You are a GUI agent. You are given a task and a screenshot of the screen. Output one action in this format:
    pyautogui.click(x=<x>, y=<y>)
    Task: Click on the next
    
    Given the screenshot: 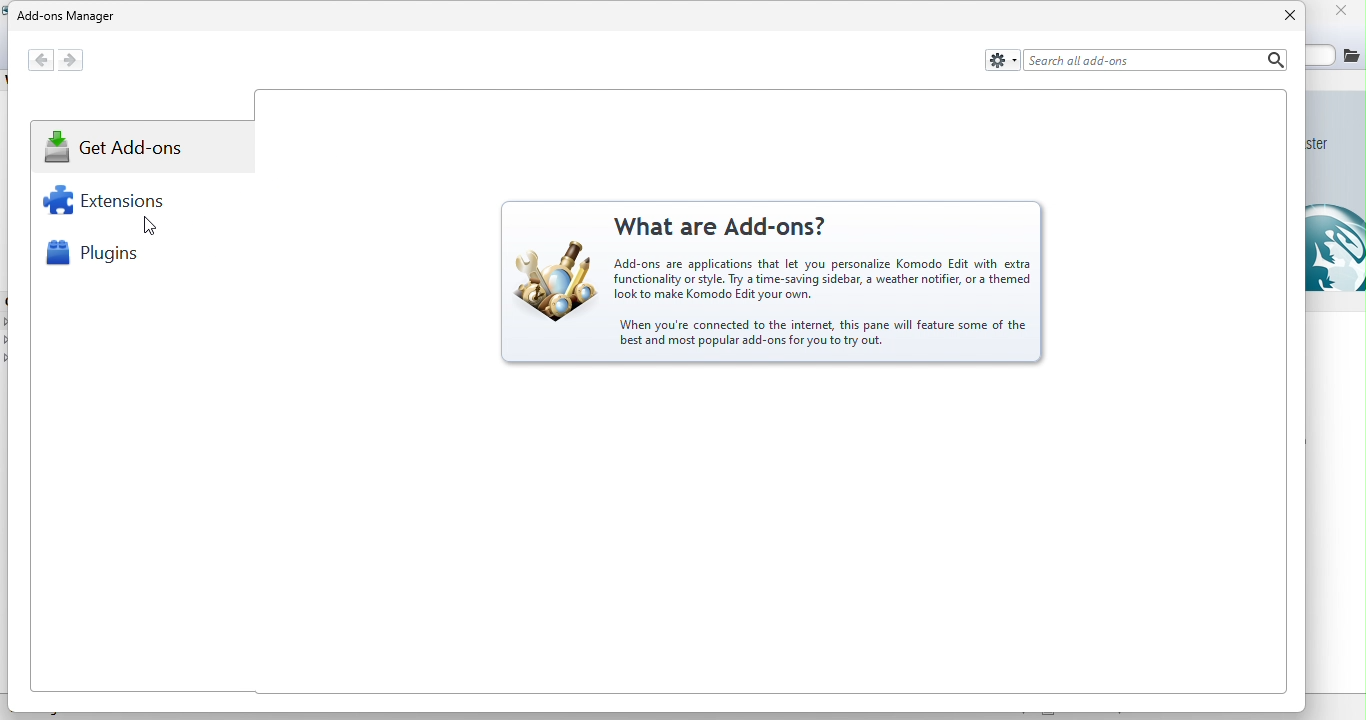 What is the action you would take?
    pyautogui.click(x=80, y=59)
    